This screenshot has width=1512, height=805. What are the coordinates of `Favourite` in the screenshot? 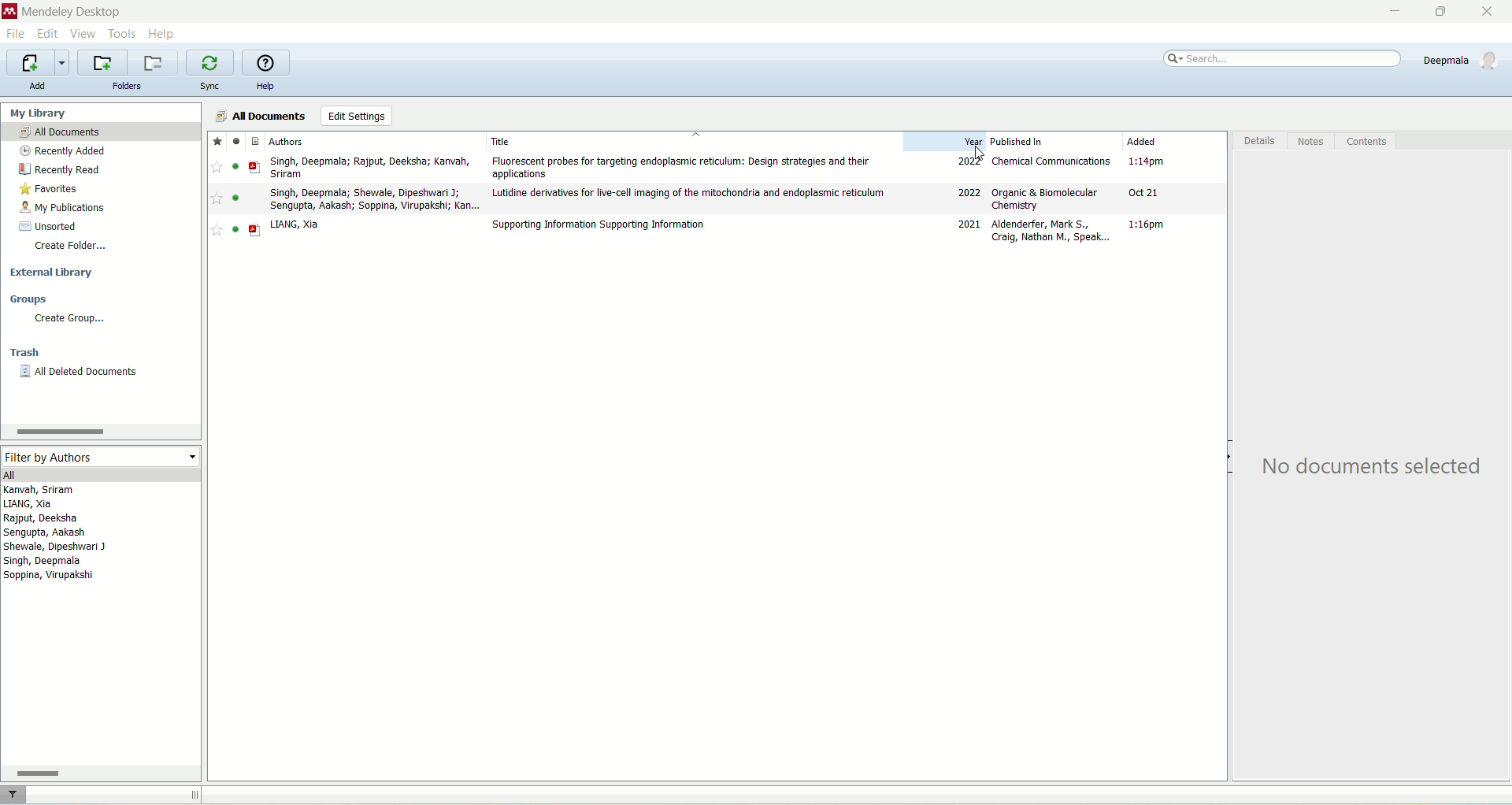 It's located at (217, 198).